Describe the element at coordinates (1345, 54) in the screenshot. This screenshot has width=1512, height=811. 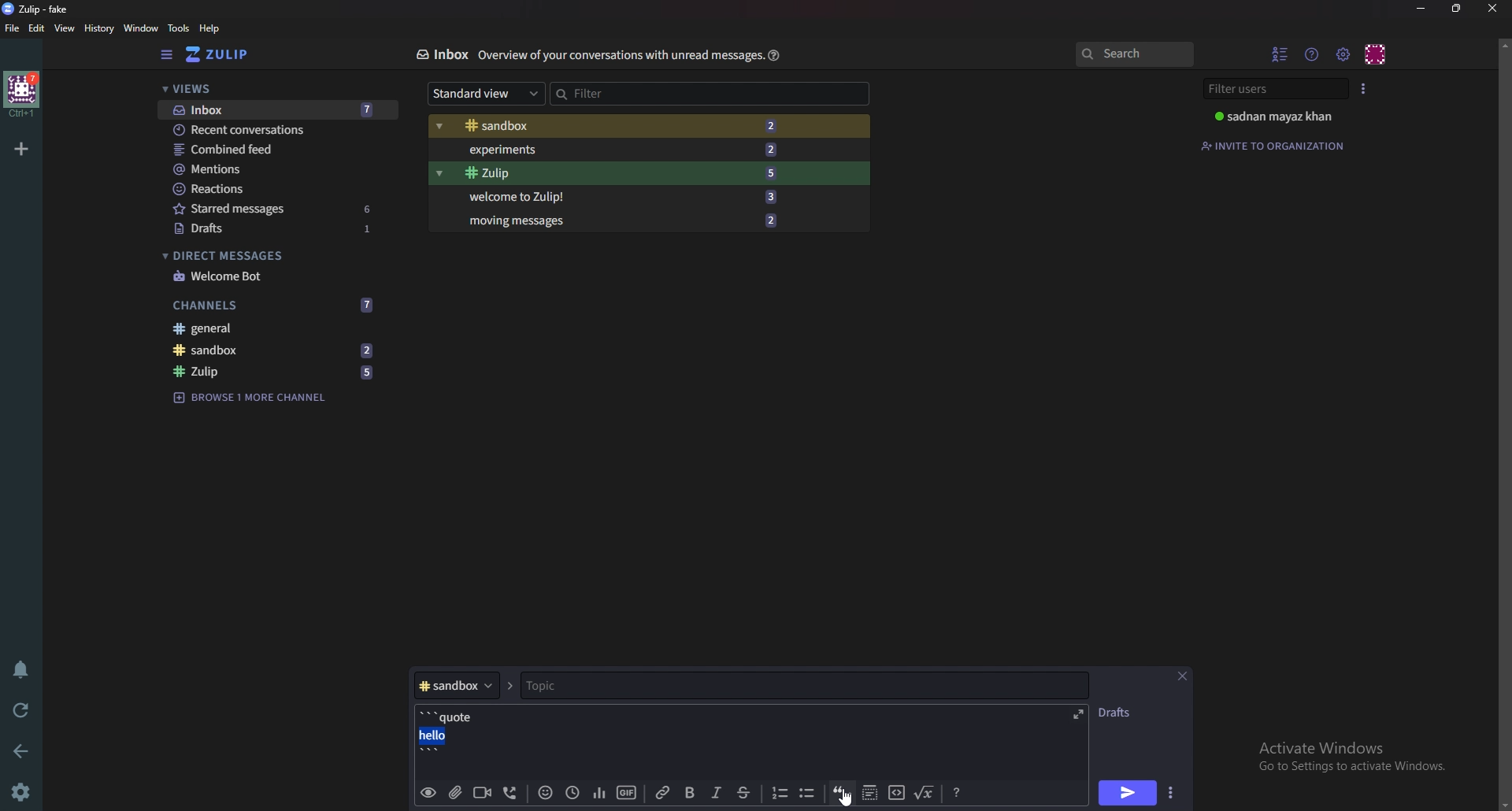
I see `Main menu` at that location.